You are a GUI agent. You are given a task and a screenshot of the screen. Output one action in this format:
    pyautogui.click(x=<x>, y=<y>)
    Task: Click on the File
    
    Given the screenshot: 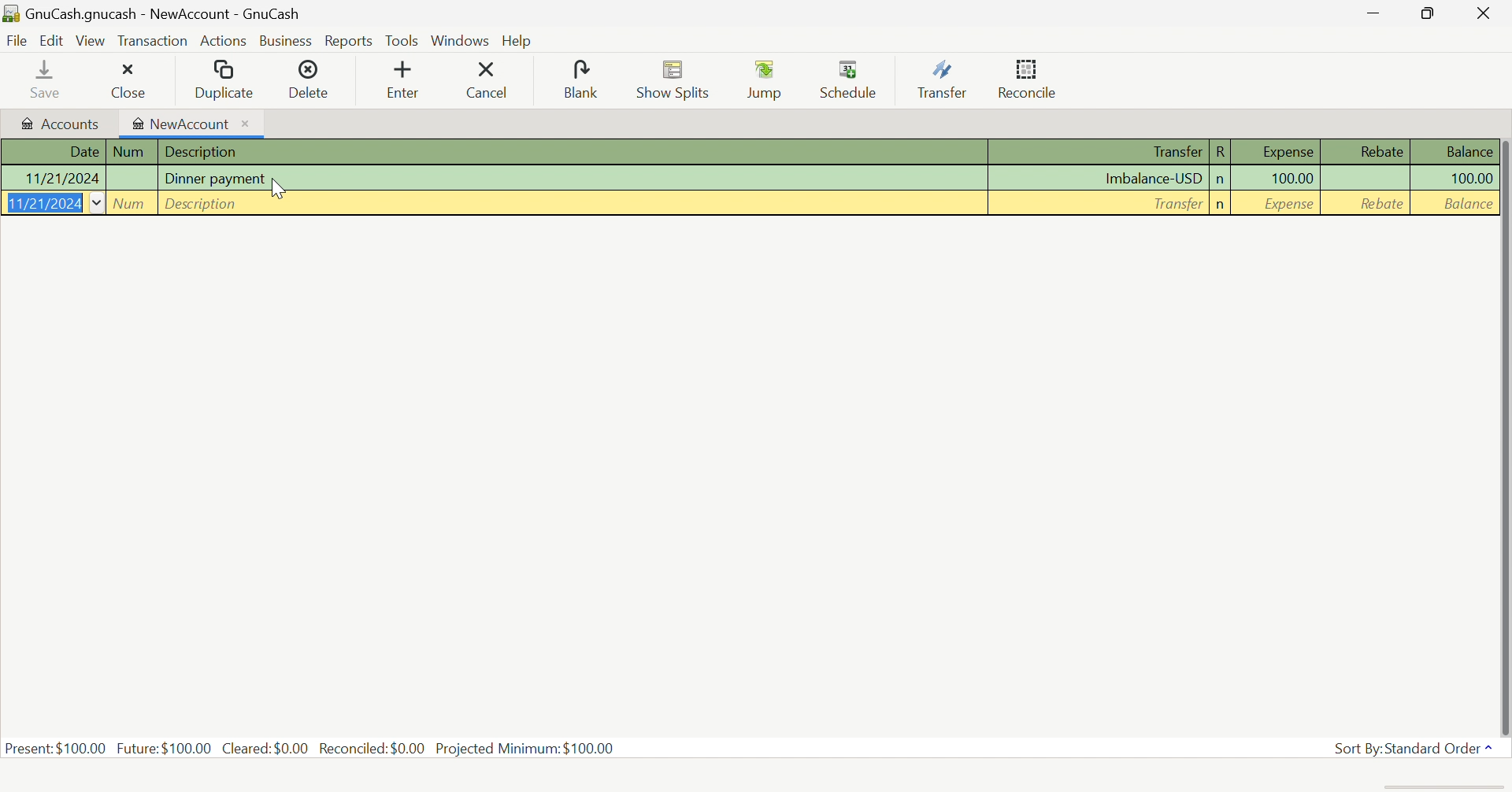 What is the action you would take?
    pyautogui.click(x=17, y=43)
    